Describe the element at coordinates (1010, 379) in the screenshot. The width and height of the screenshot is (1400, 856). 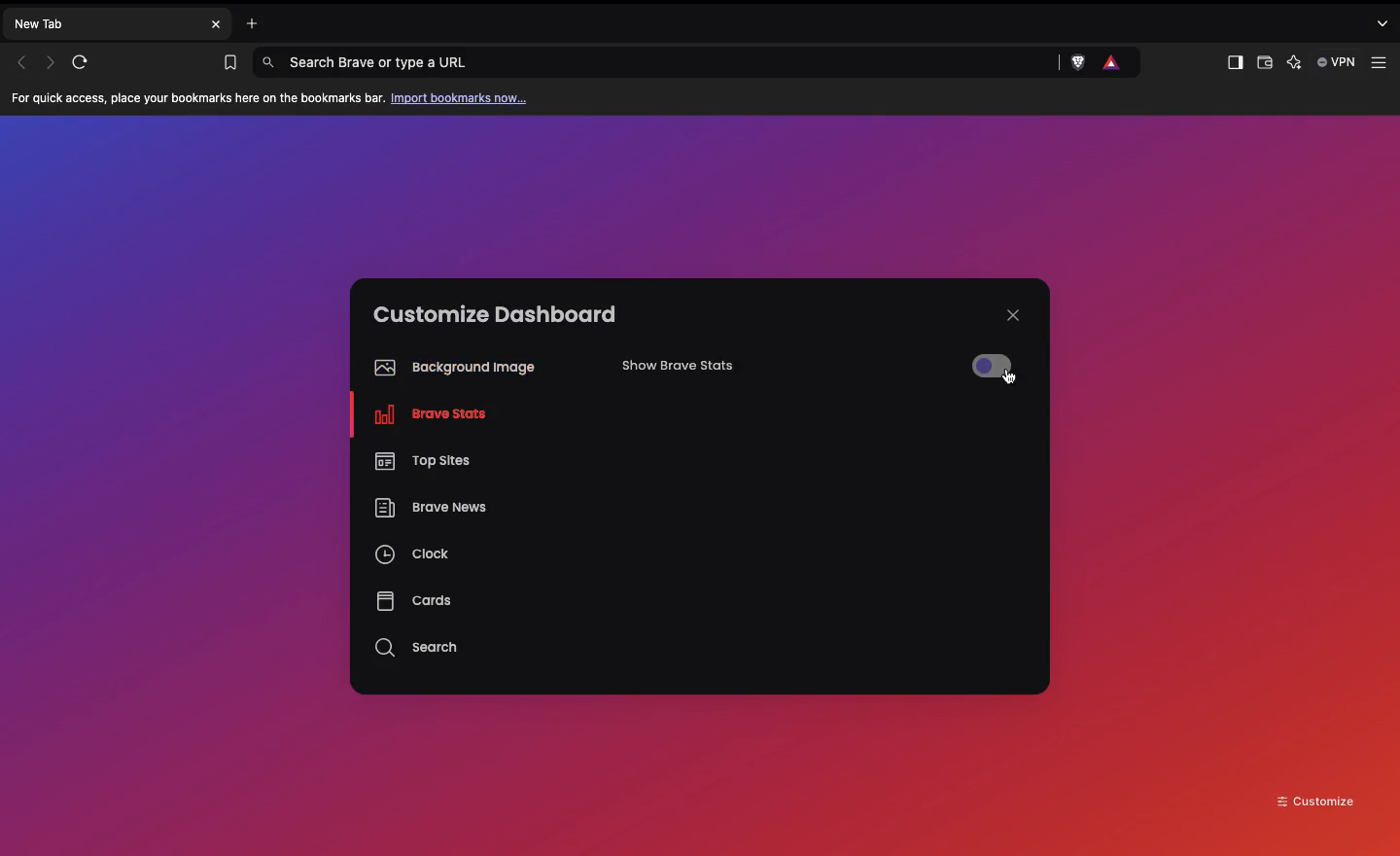
I see `Cursor` at that location.